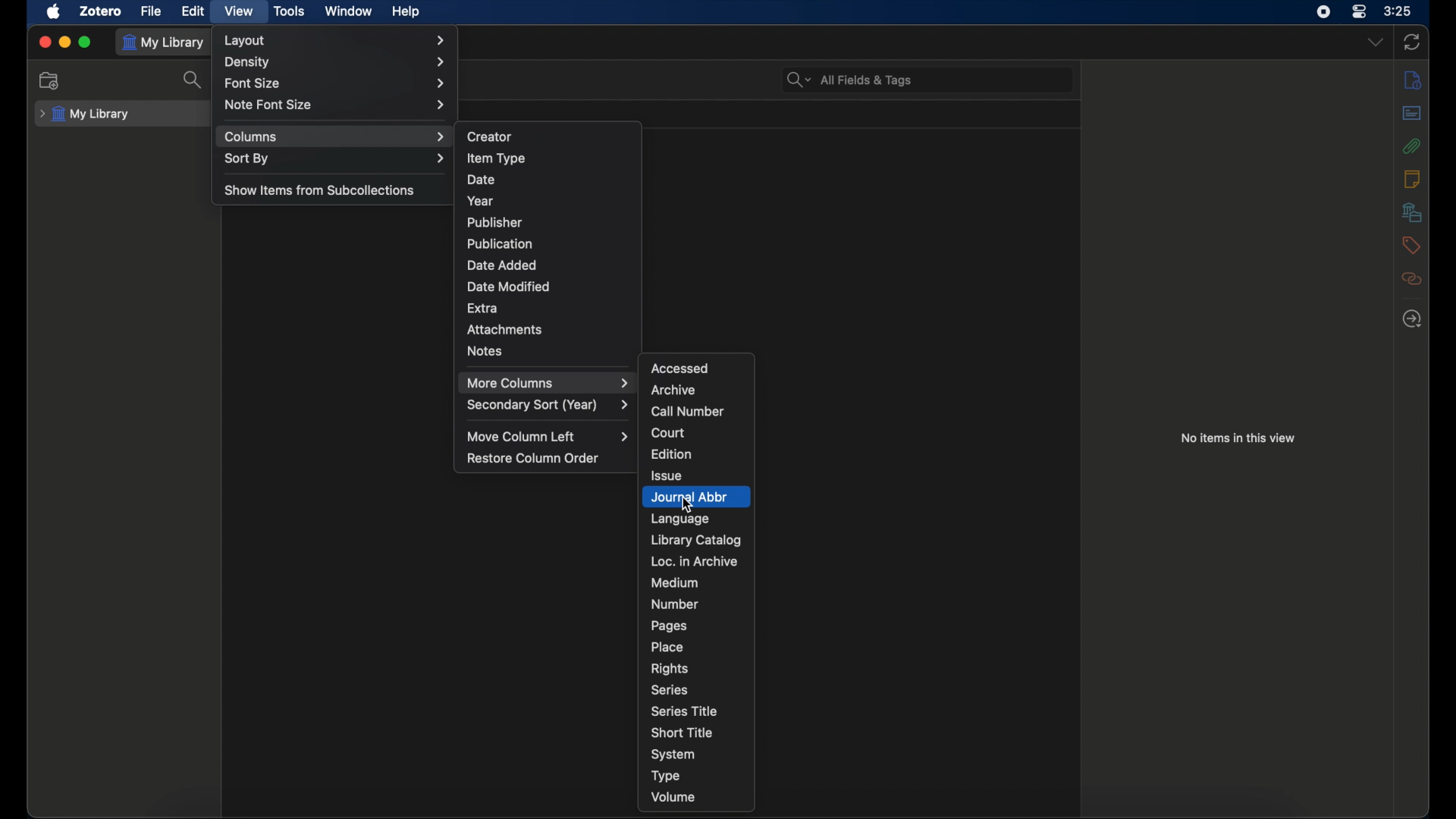  What do you see at coordinates (49, 80) in the screenshot?
I see `new collections` at bounding box center [49, 80].